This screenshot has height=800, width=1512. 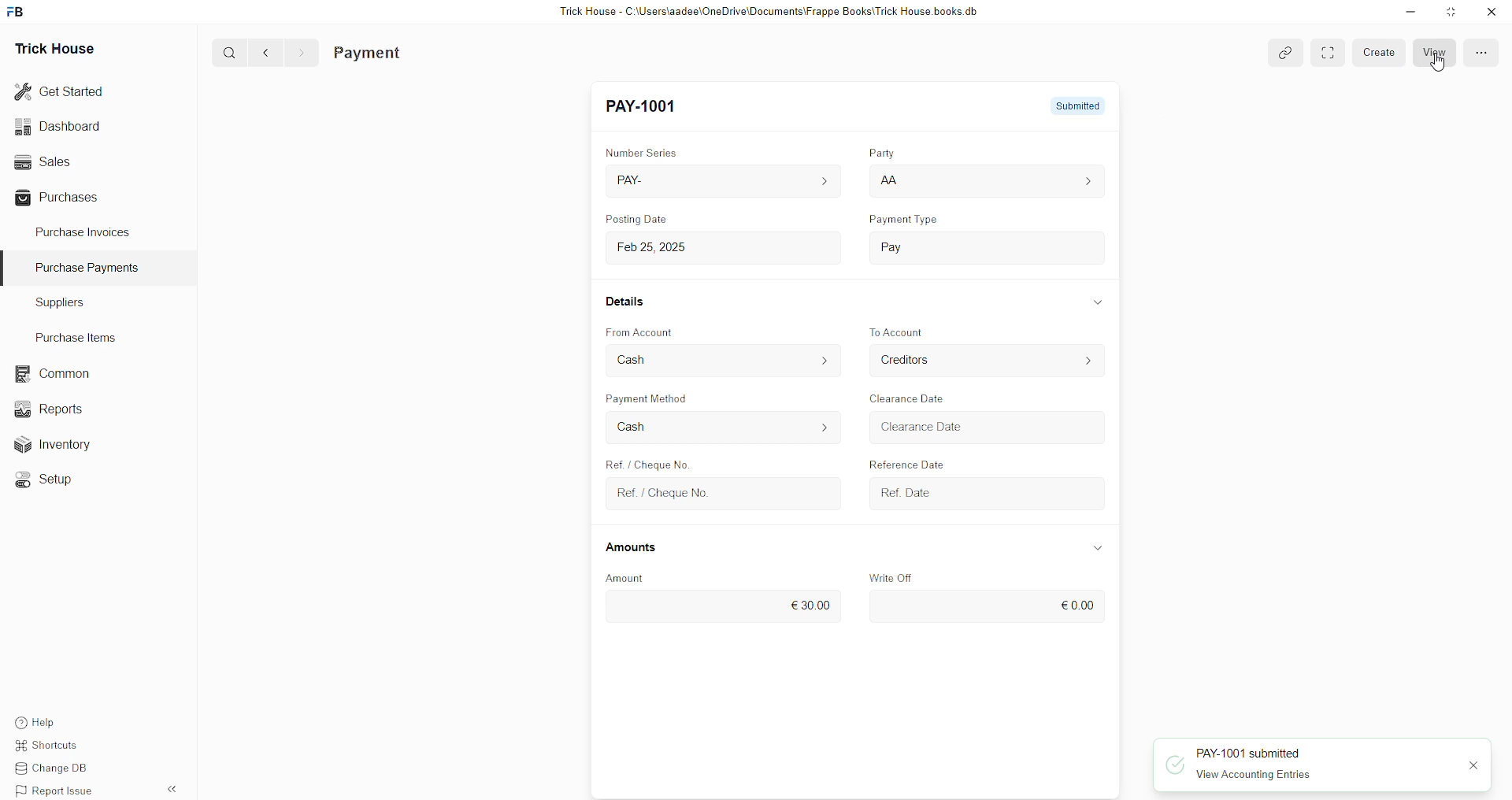 I want to click on Reports, so click(x=54, y=407).